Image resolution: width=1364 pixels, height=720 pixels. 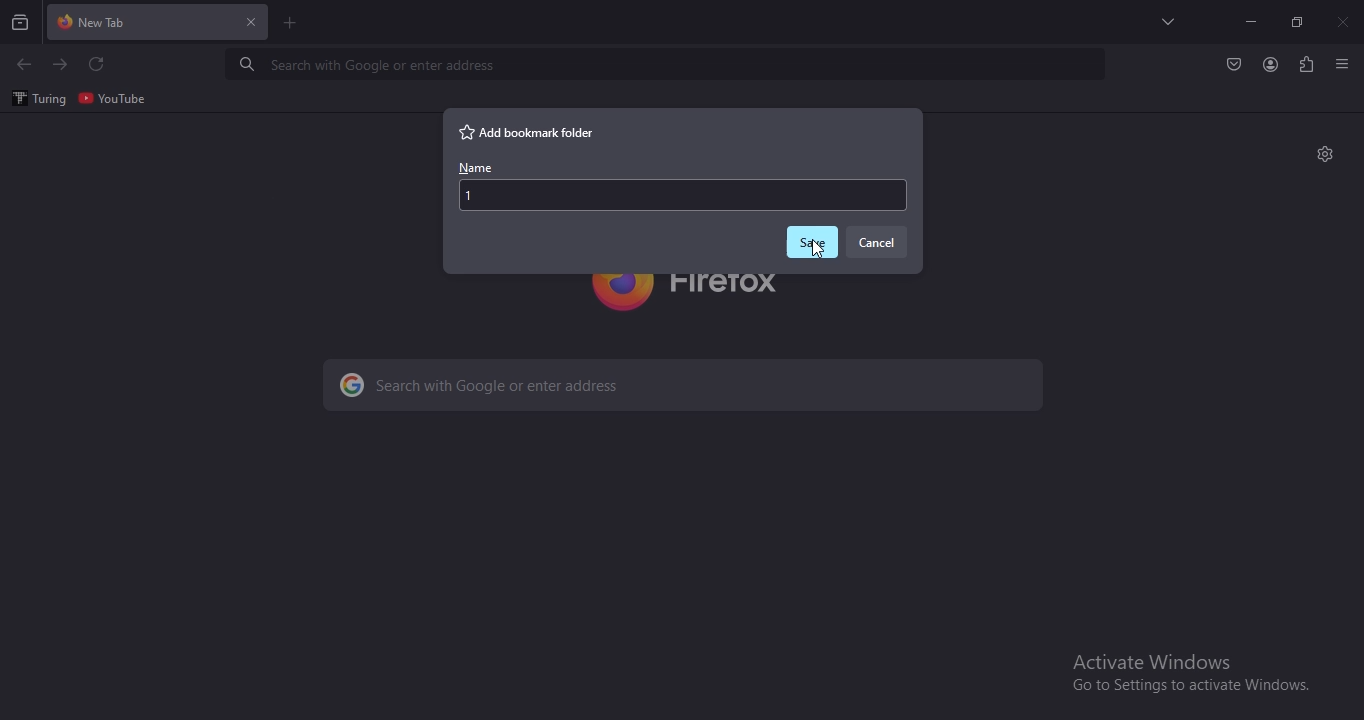 I want to click on new tab, so click(x=291, y=25).